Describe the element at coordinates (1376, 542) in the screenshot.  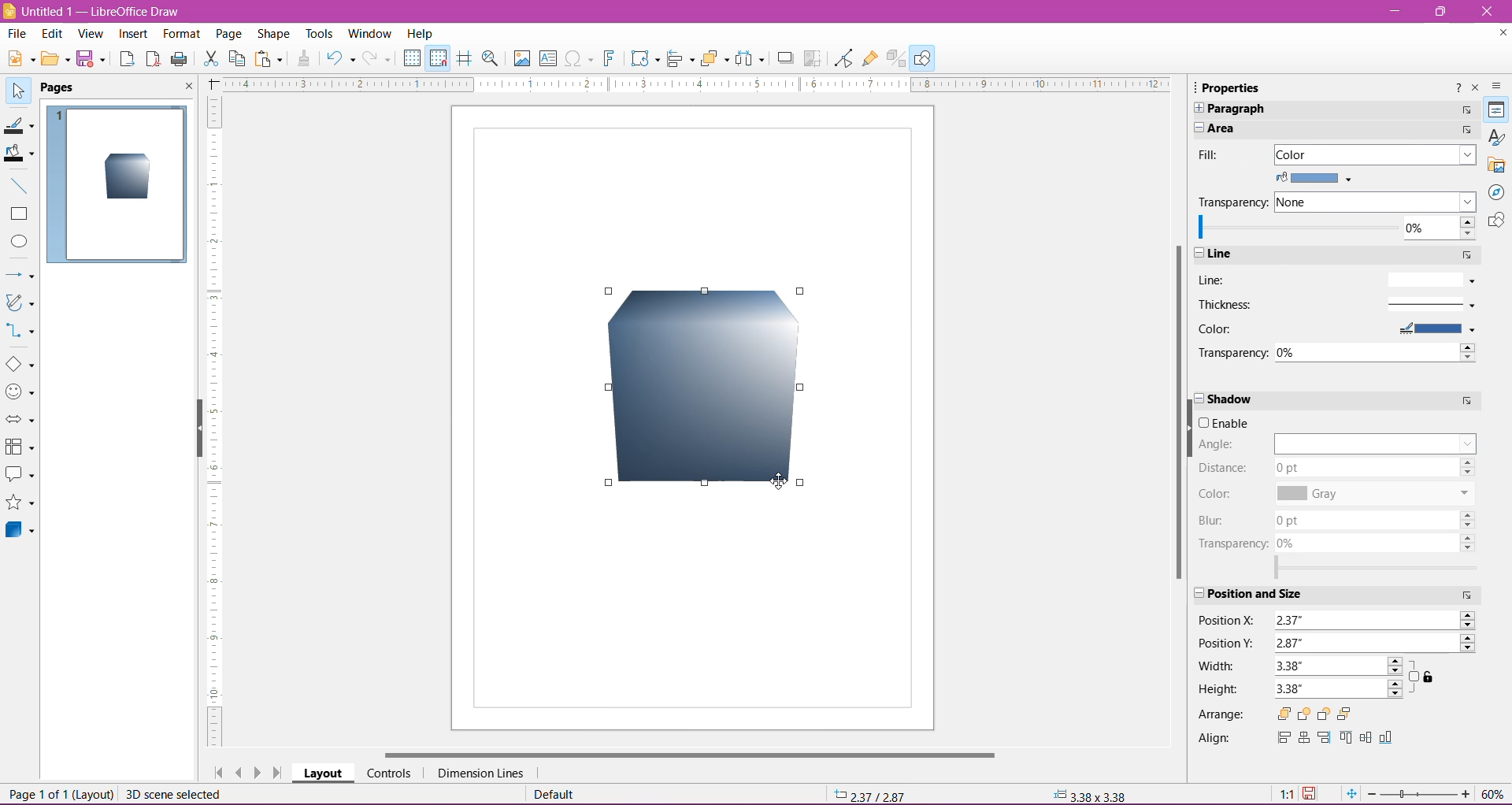
I see `Set shadow transparency` at that location.